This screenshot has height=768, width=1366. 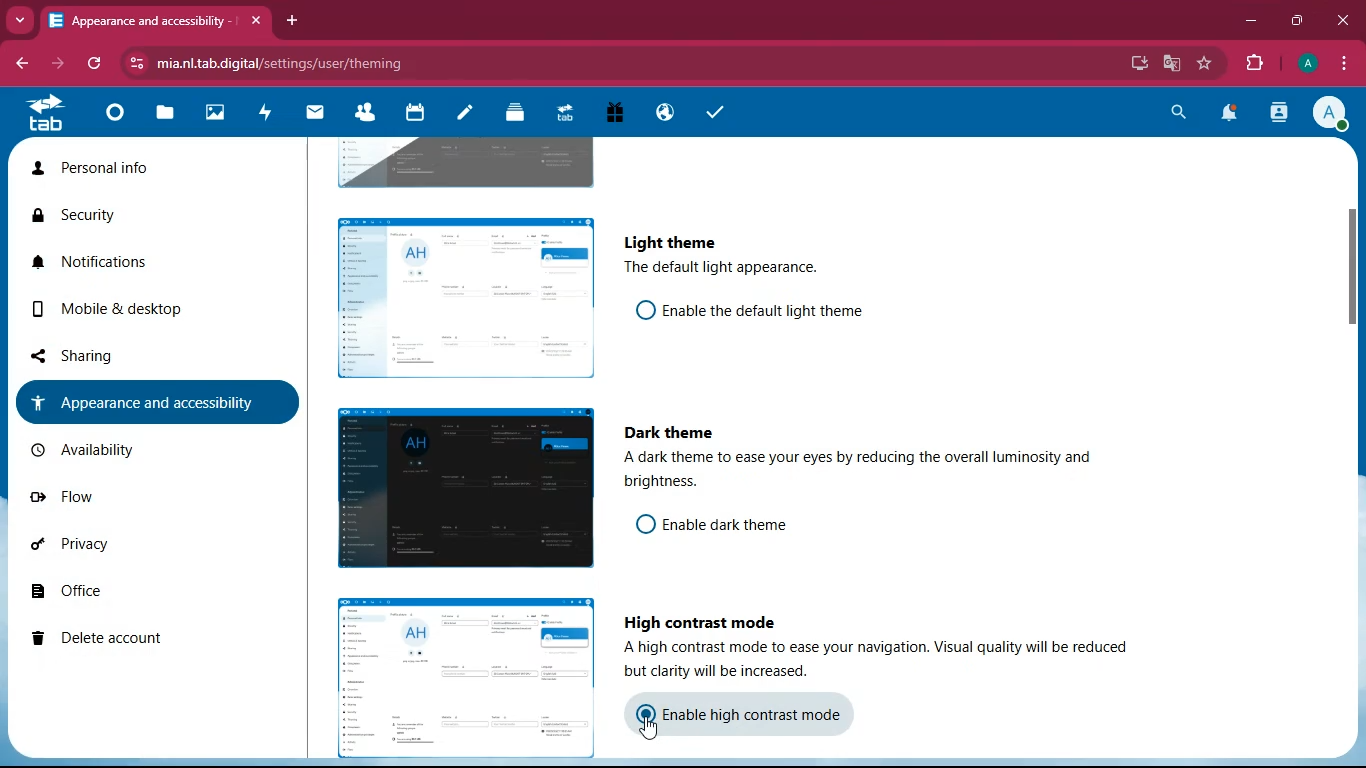 What do you see at coordinates (457, 673) in the screenshot?
I see `image` at bounding box center [457, 673].